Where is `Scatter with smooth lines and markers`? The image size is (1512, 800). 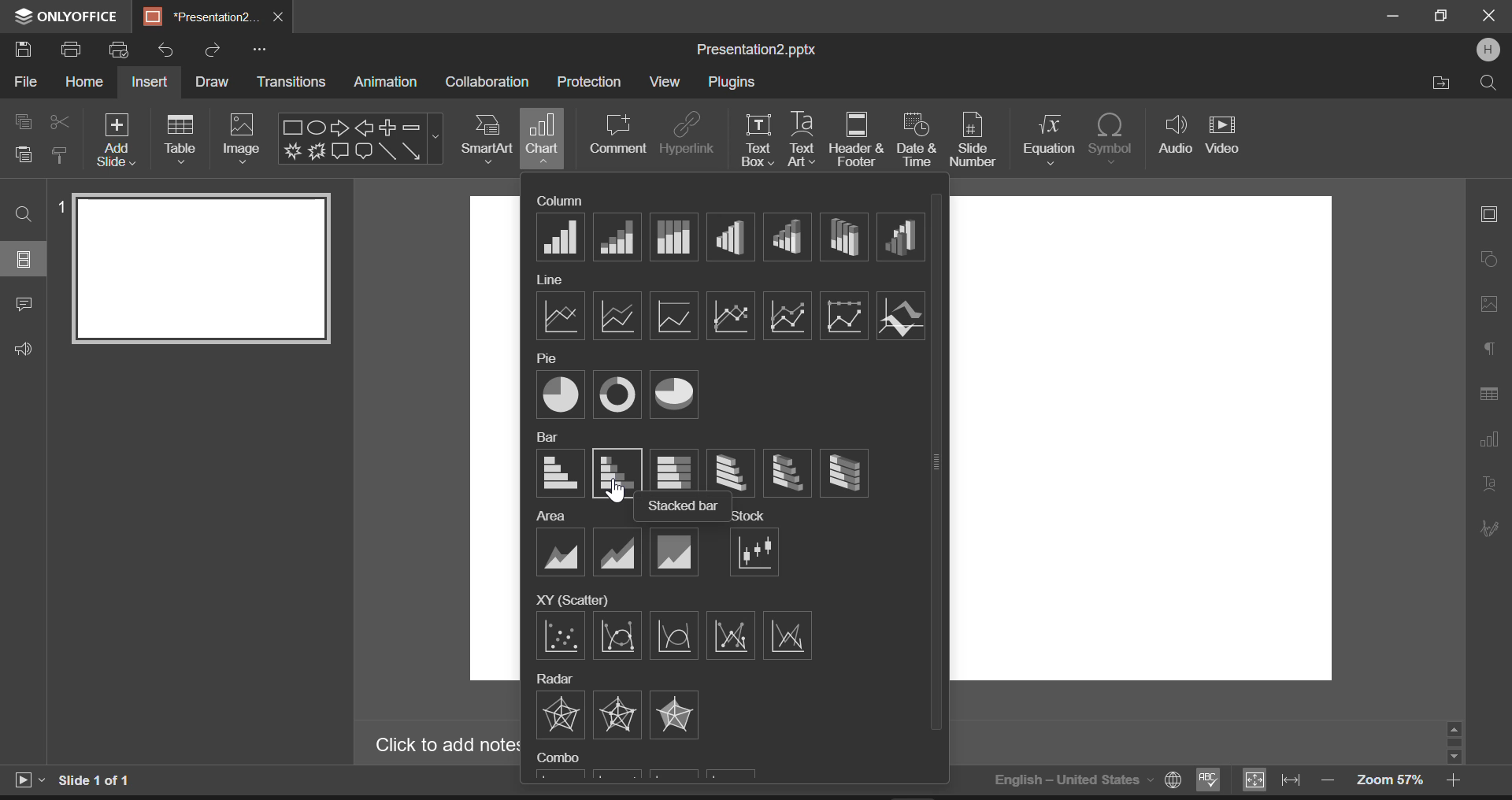 Scatter with smooth lines and markers is located at coordinates (618, 637).